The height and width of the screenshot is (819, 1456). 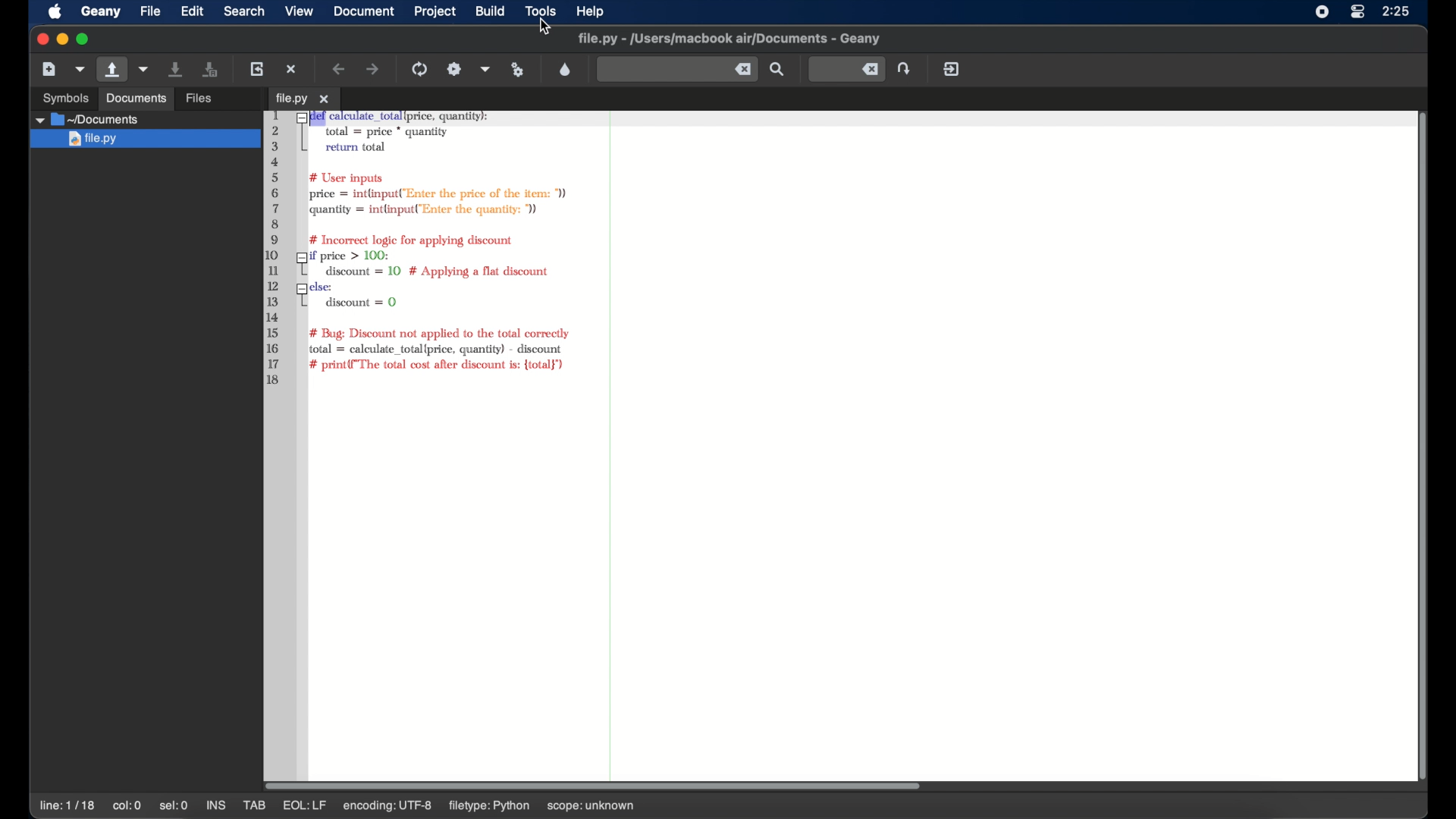 I want to click on reload current file from disk, so click(x=256, y=68).